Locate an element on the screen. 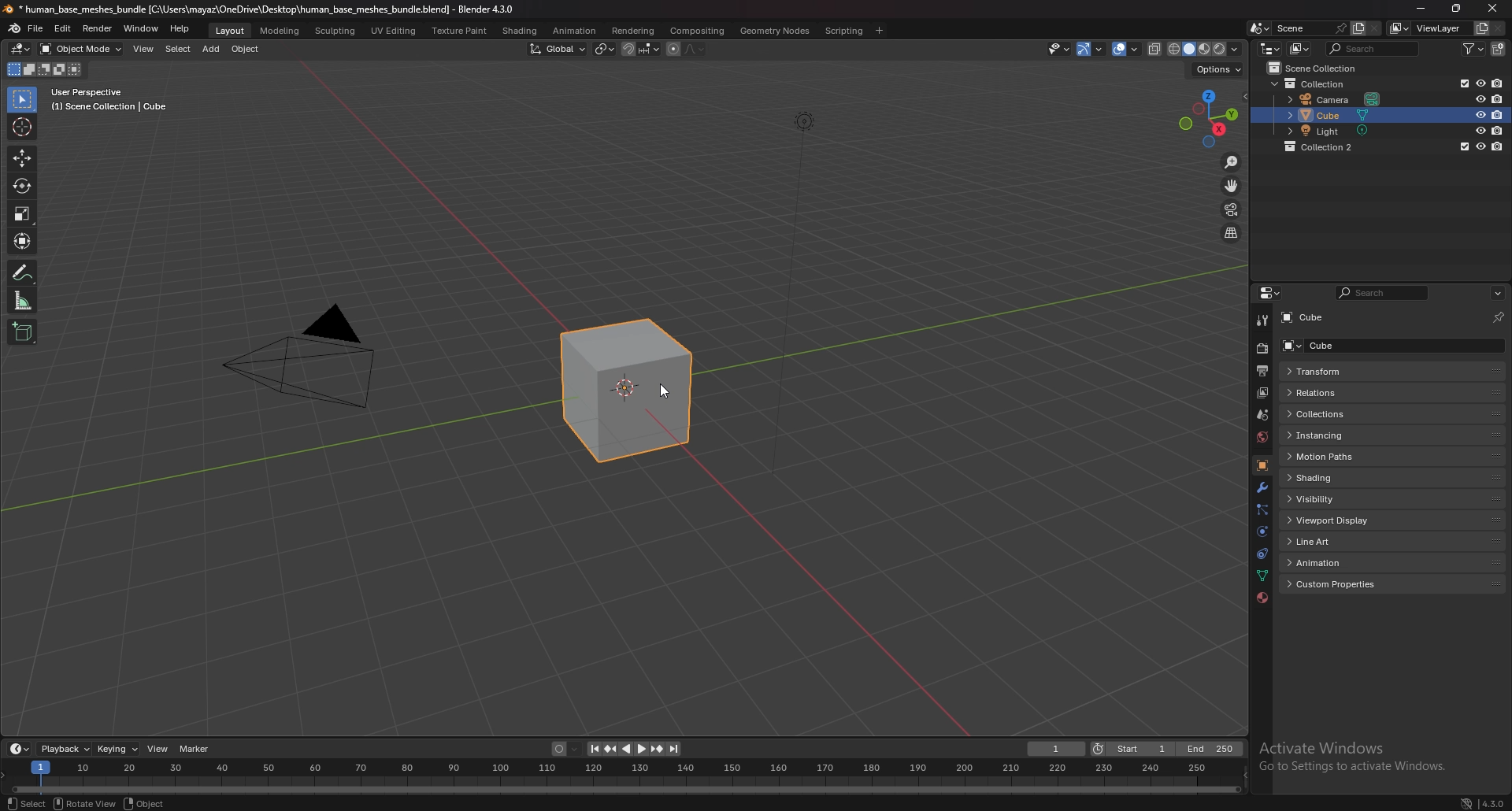 The image size is (1512, 811). move is located at coordinates (22, 157).